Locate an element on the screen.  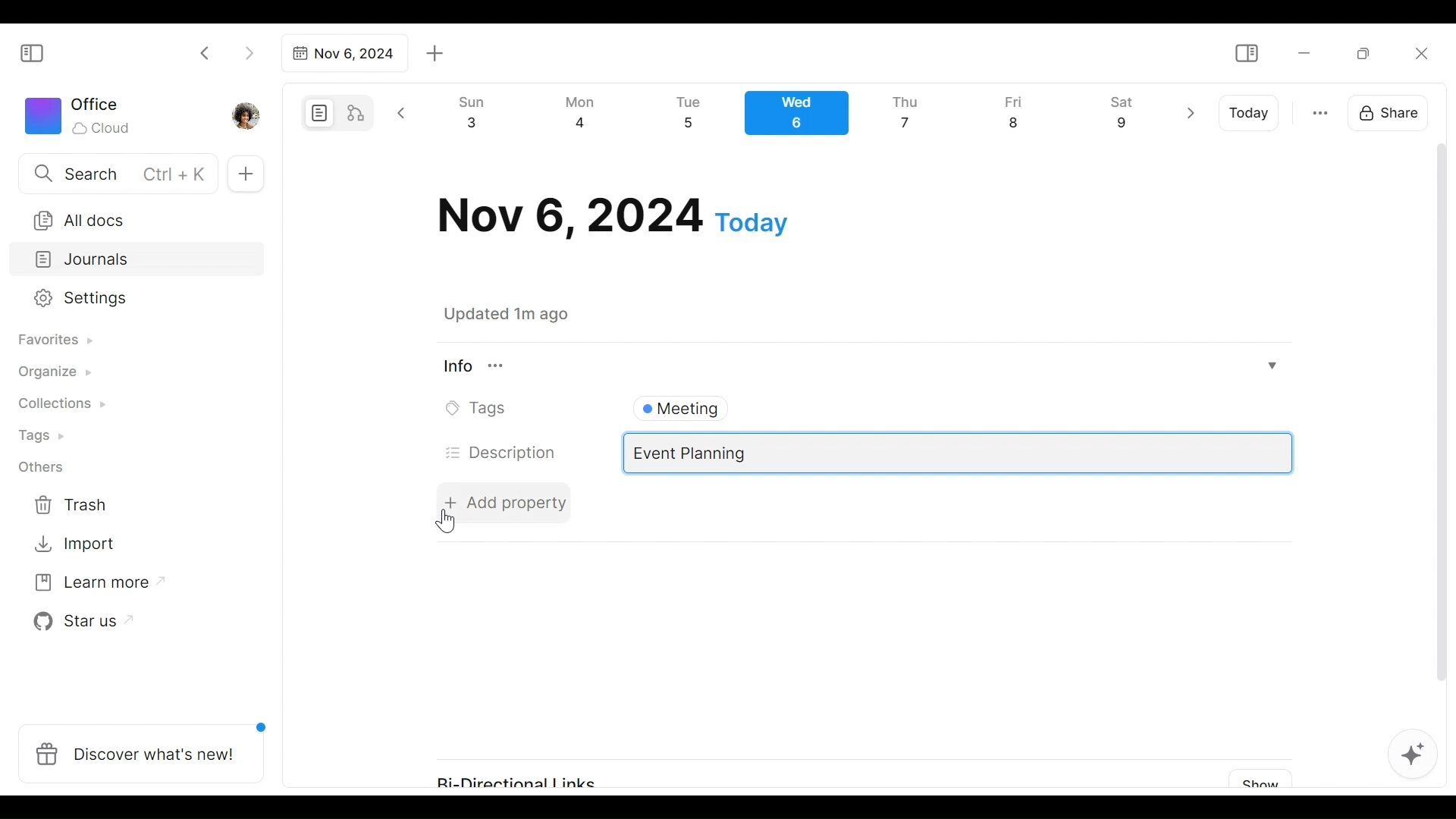
Tags Field is located at coordinates (957, 405).